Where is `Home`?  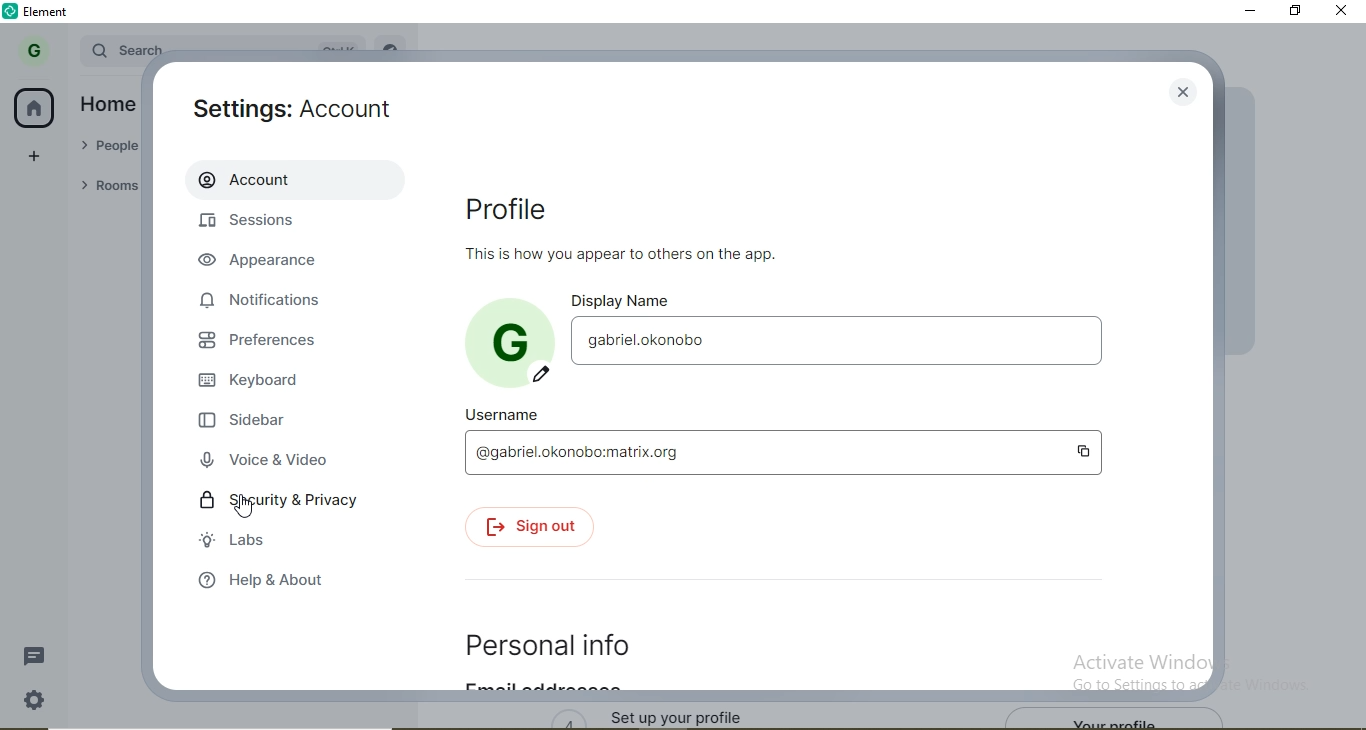 Home is located at coordinates (105, 101).